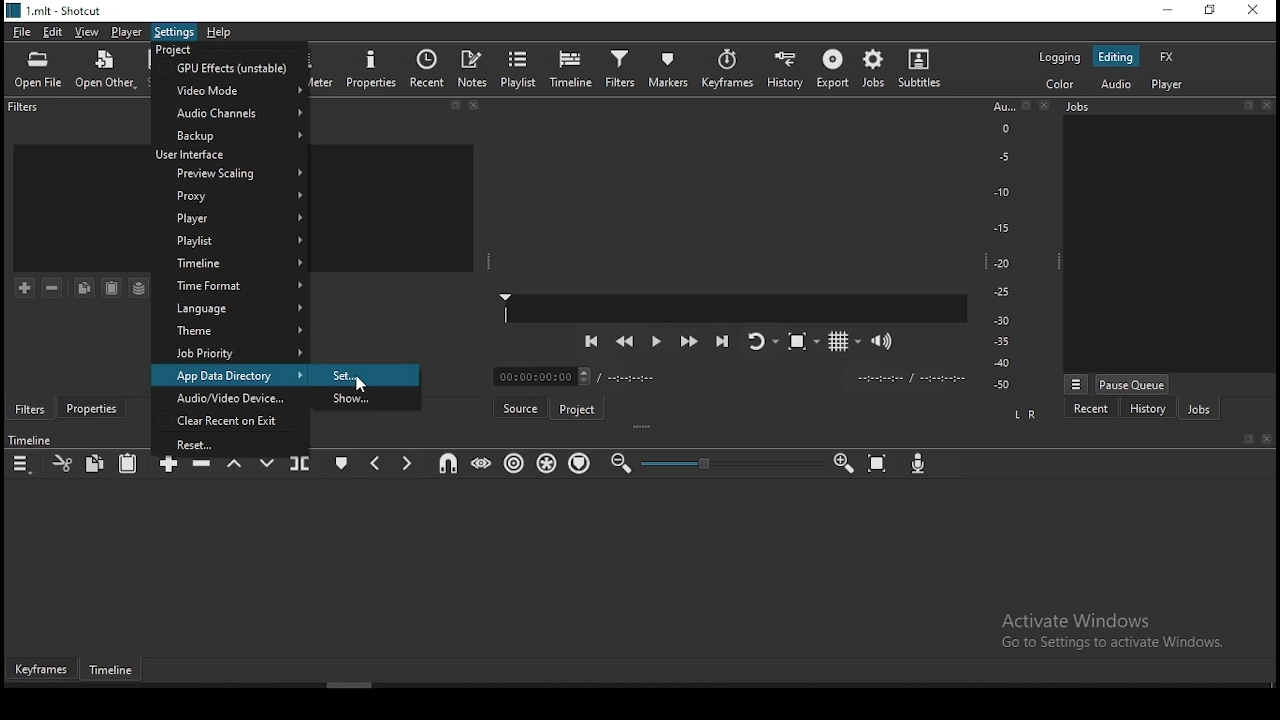 The height and width of the screenshot is (720, 1280). What do you see at coordinates (786, 67) in the screenshot?
I see `history` at bounding box center [786, 67].